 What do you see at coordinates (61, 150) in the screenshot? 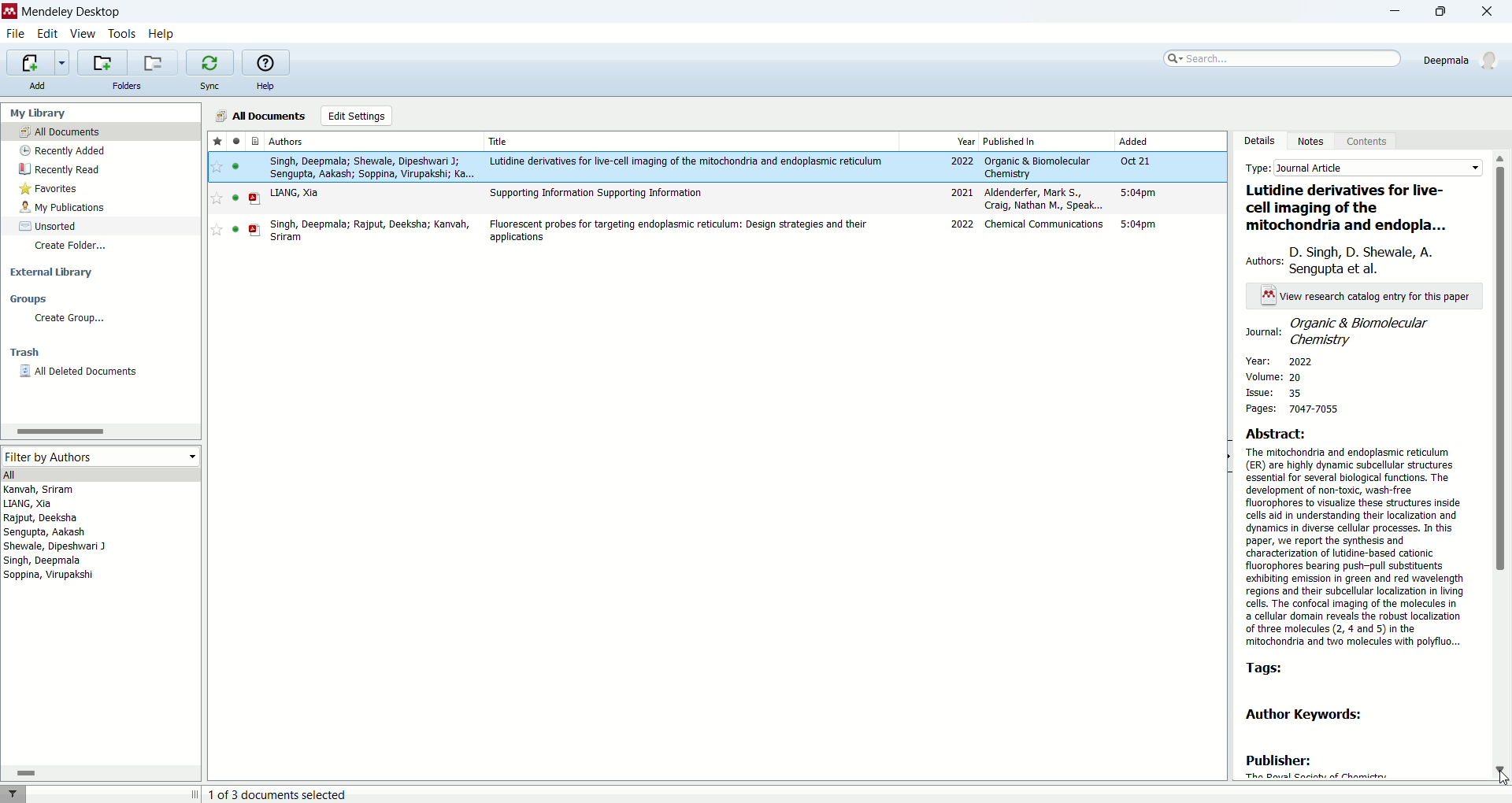
I see `recently added` at bounding box center [61, 150].